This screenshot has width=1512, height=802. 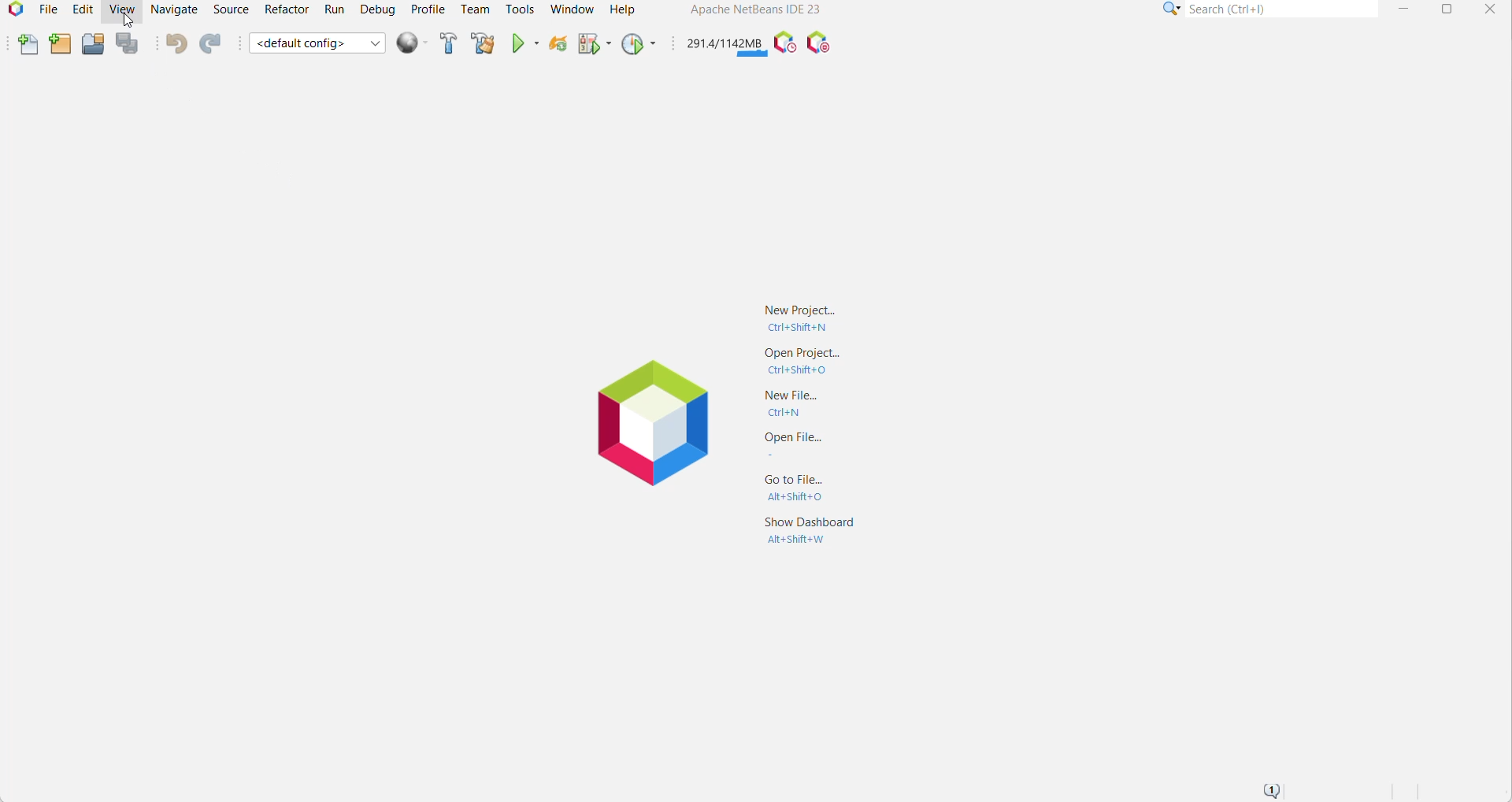 I want to click on Click to force garbage collection, so click(x=724, y=43).